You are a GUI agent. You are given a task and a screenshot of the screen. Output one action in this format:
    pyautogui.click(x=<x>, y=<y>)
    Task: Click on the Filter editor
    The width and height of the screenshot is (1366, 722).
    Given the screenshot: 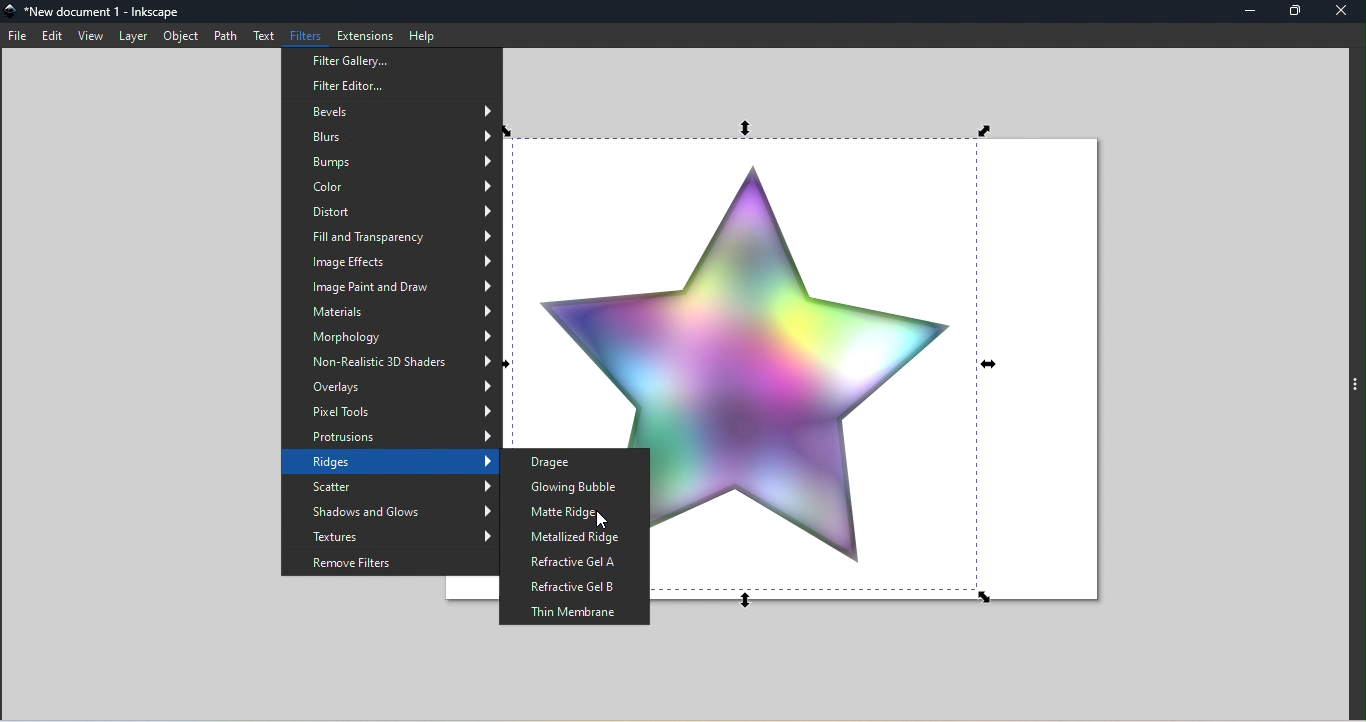 What is the action you would take?
    pyautogui.click(x=391, y=86)
    